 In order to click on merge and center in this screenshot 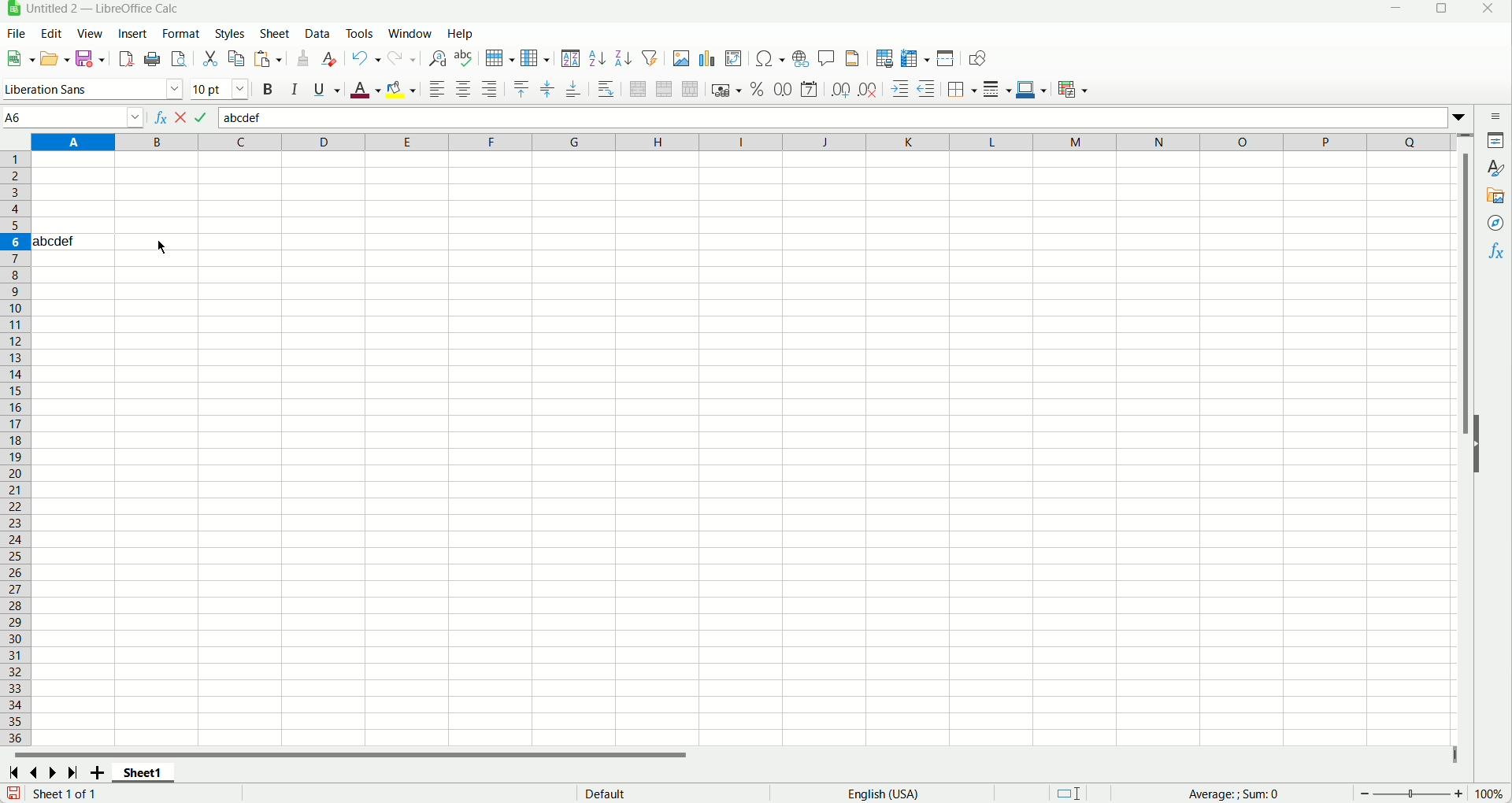, I will do `click(637, 90)`.